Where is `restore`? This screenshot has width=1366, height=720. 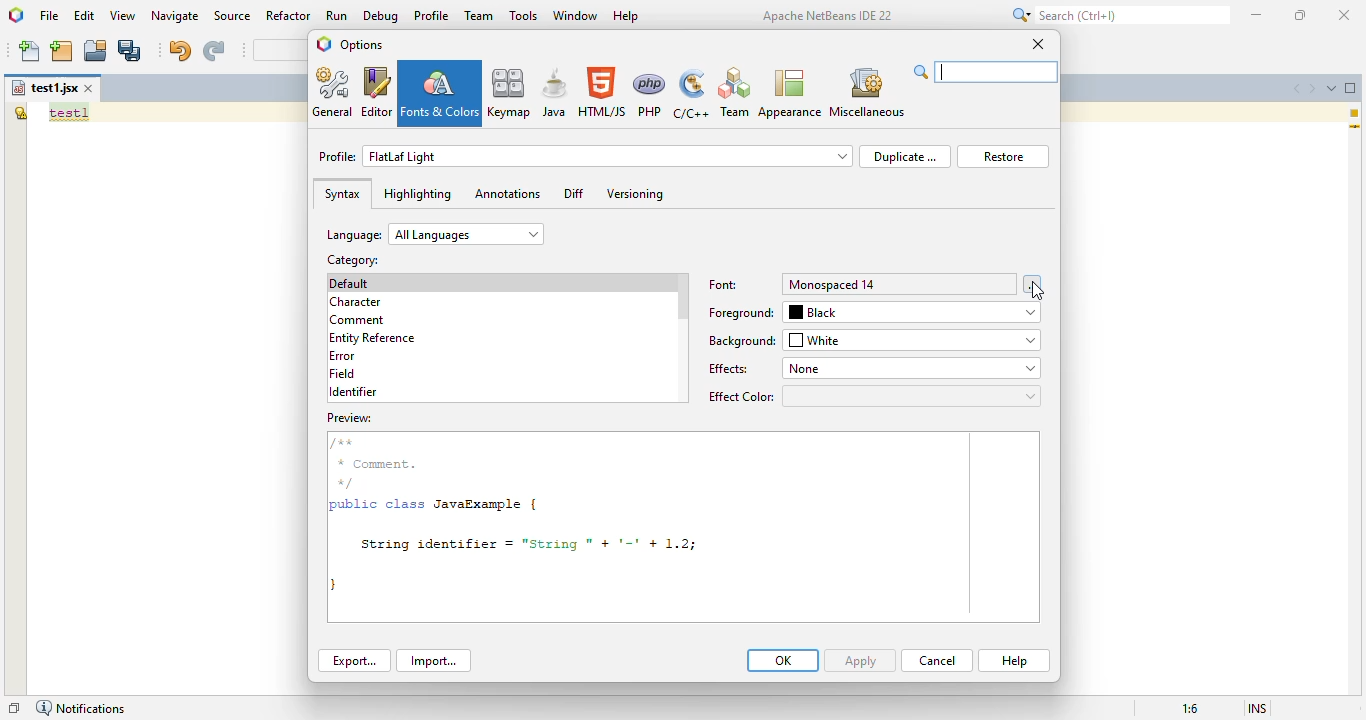 restore is located at coordinates (1003, 156).